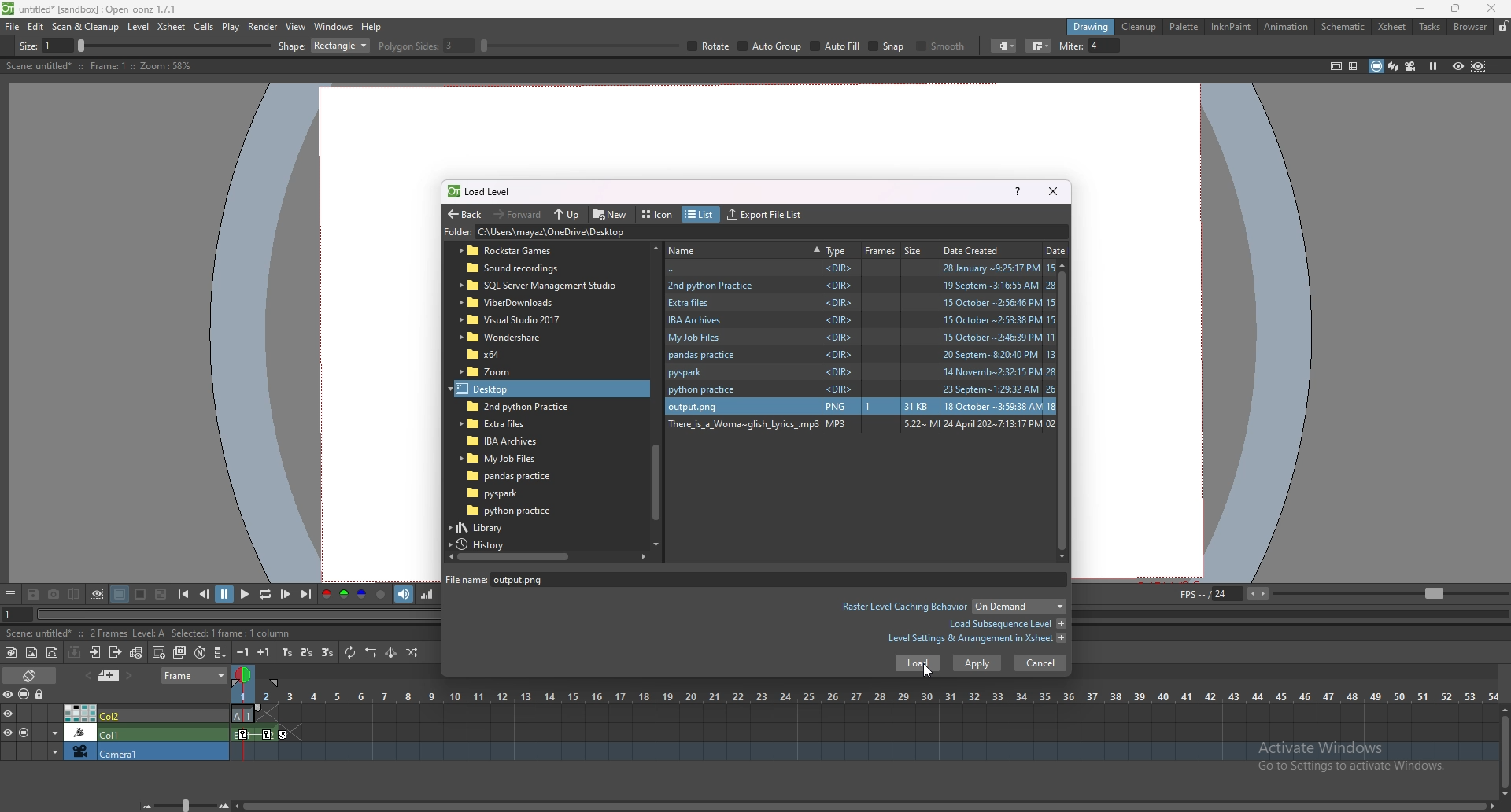 This screenshot has height=812, width=1511. Describe the element at coordinates (231, 27) in the screenshot. I see `play` at that location.